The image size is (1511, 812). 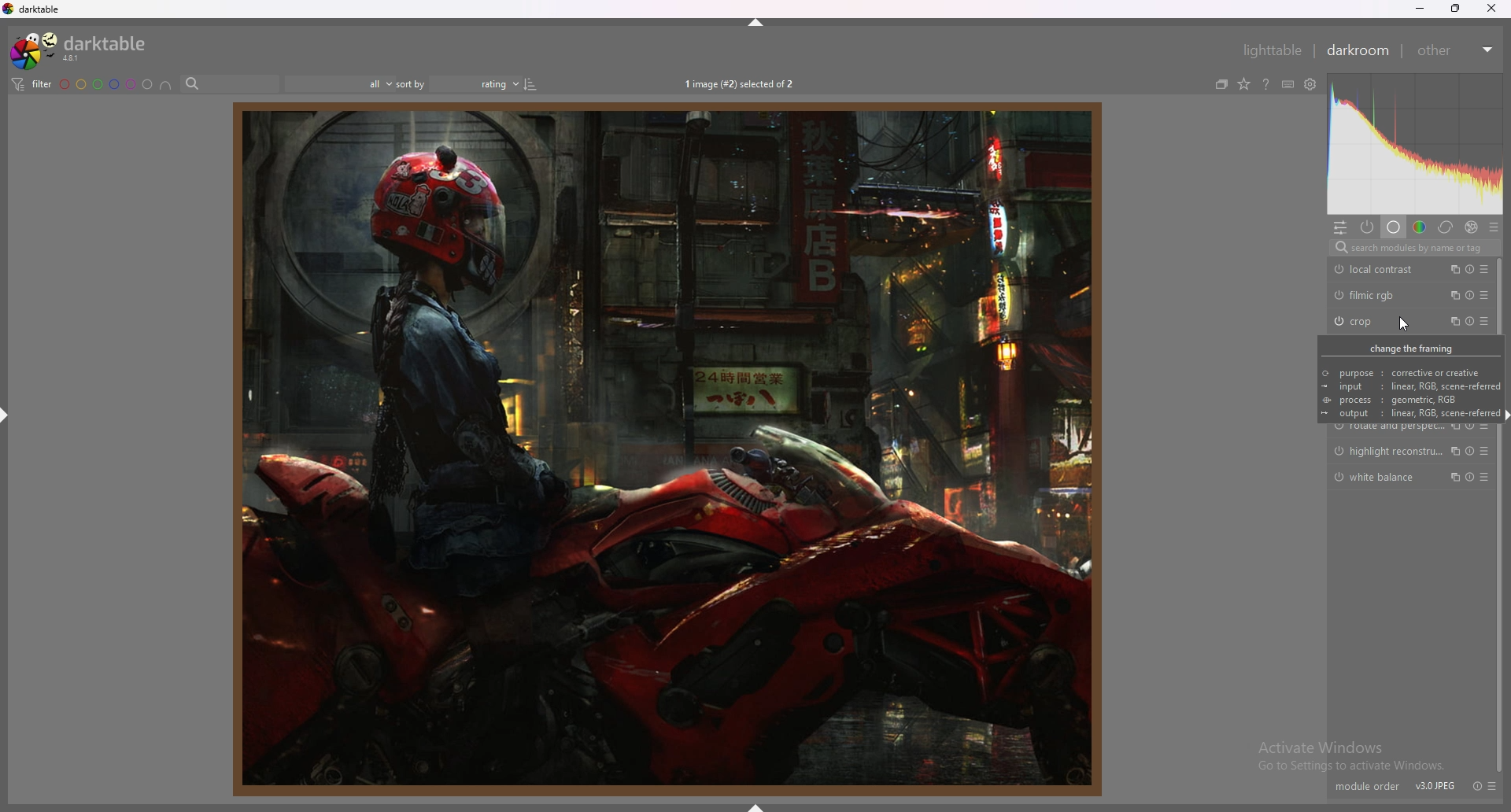 What do you see at coordinates (1450, 320) in the screenshot?
I see `multiple instances action` at bounding box center [1450, 320].